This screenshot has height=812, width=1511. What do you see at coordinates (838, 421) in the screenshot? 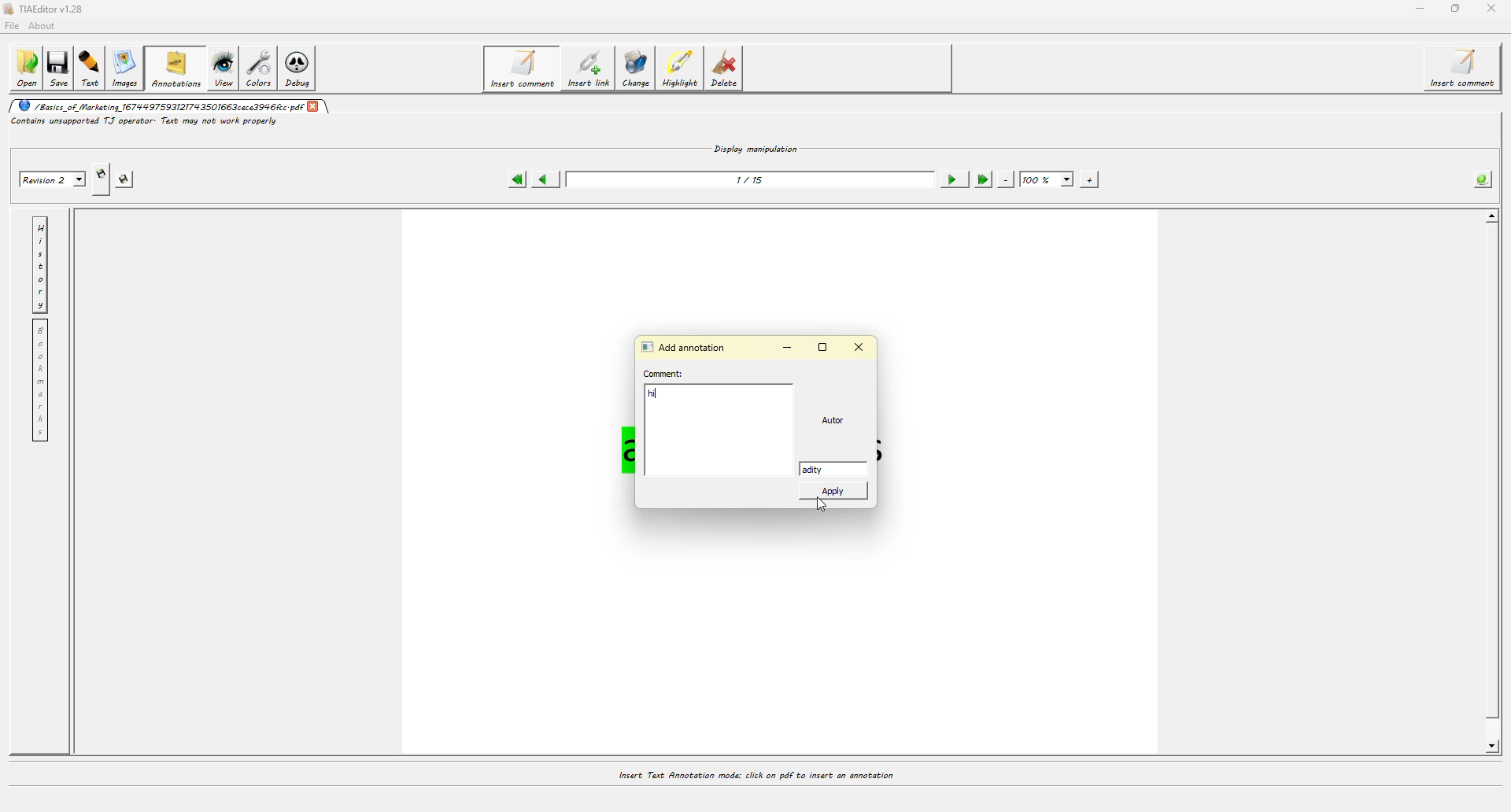
I see `Autor` at bounding box center [838, 421].